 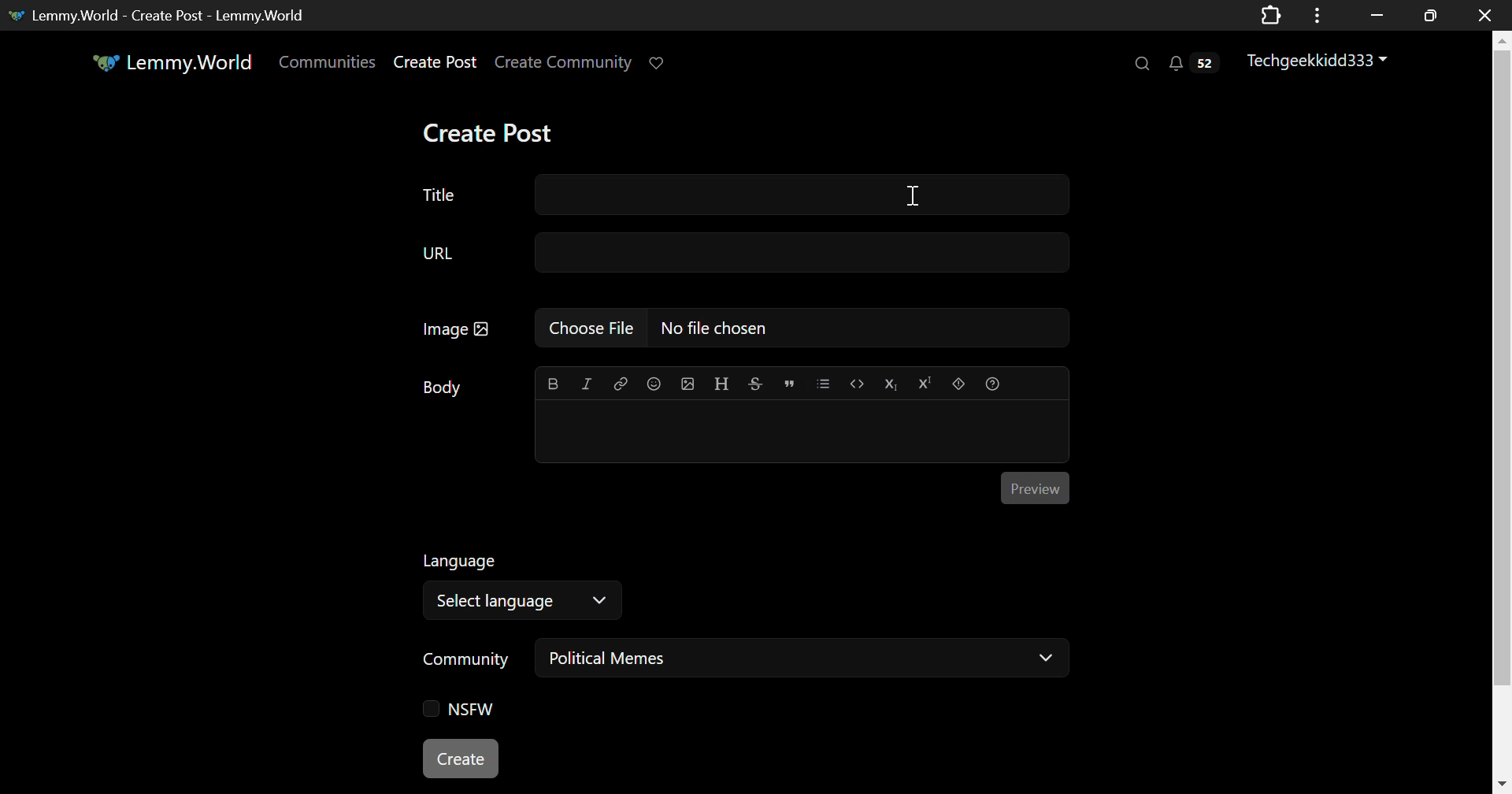 I want to click on Strikethrough, so click(x=756, y=384).